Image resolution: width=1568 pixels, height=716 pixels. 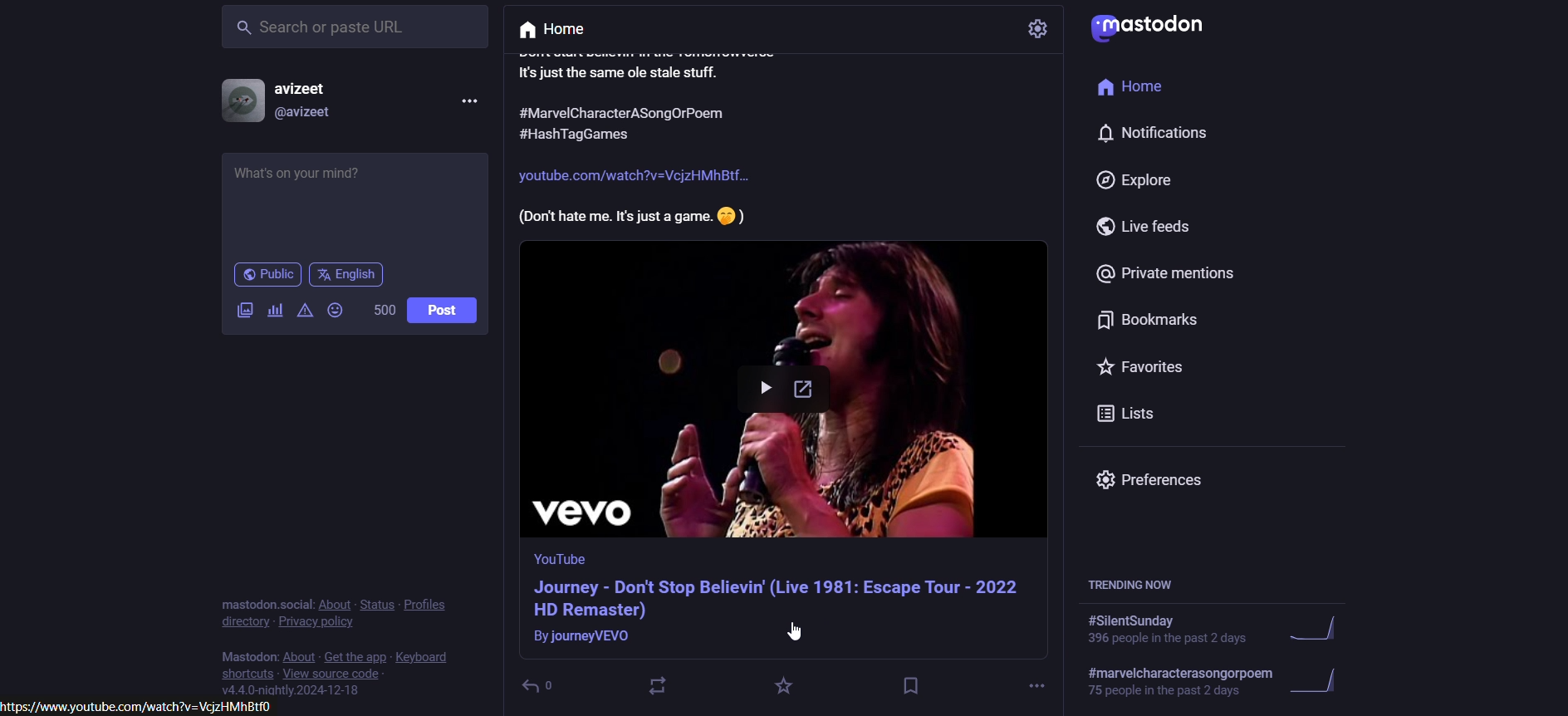 I want to click on view source code, so click(x=332, y=674).